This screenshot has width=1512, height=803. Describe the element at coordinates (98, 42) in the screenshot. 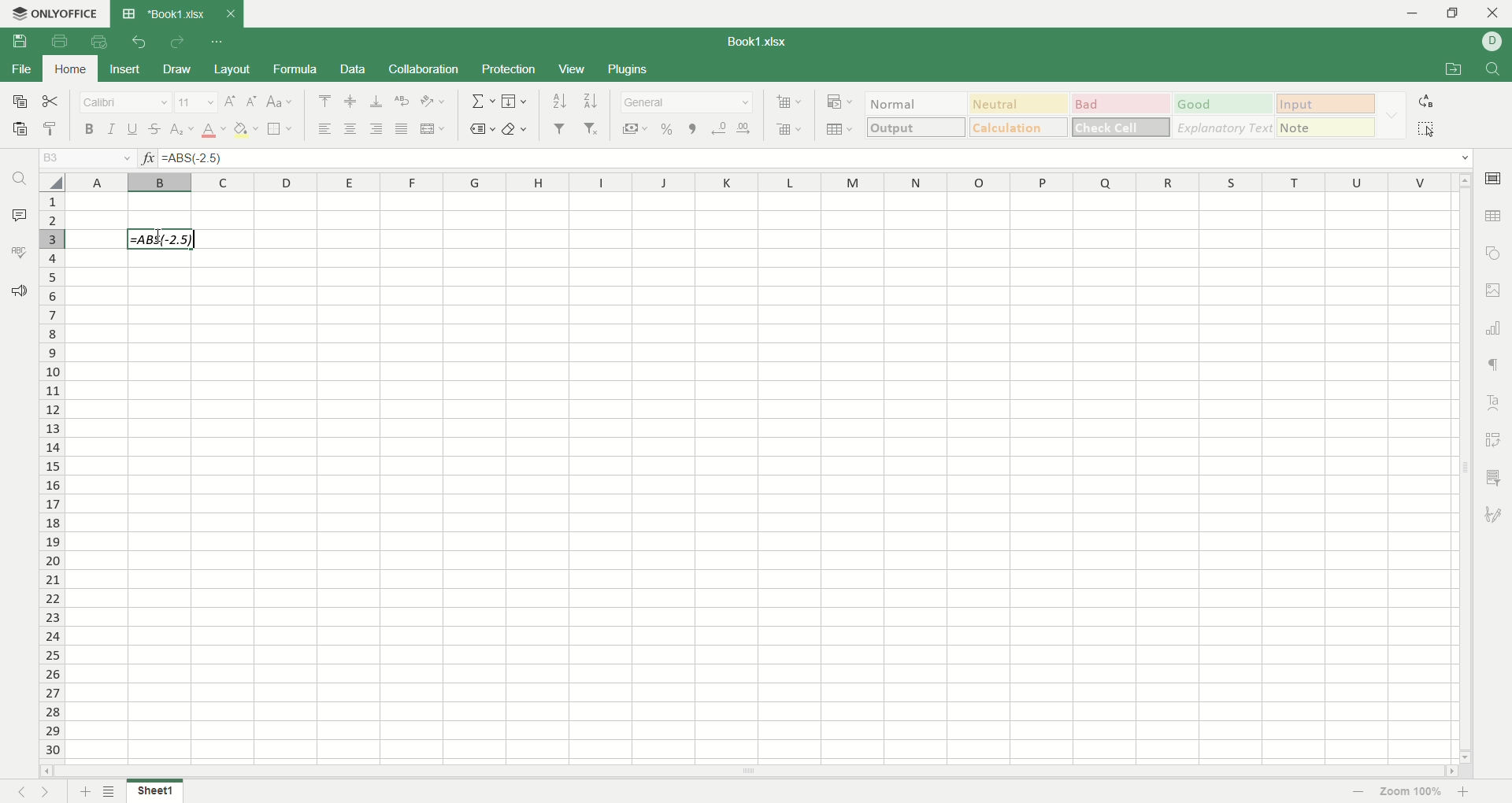

I see `quick print` at that location.